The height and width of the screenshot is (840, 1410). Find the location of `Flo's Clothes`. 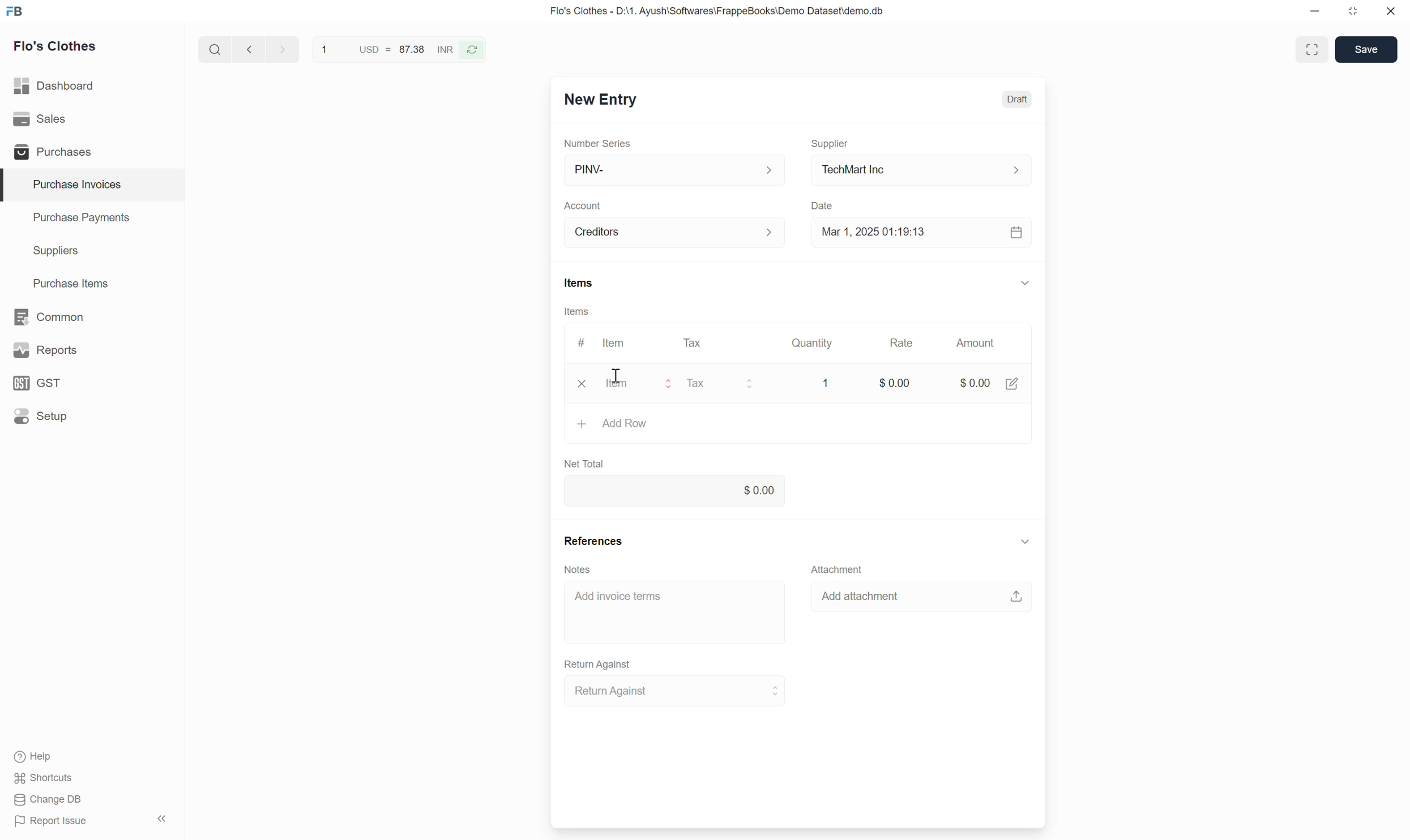

Flo's Clothes is located at coordinates (57, 48).